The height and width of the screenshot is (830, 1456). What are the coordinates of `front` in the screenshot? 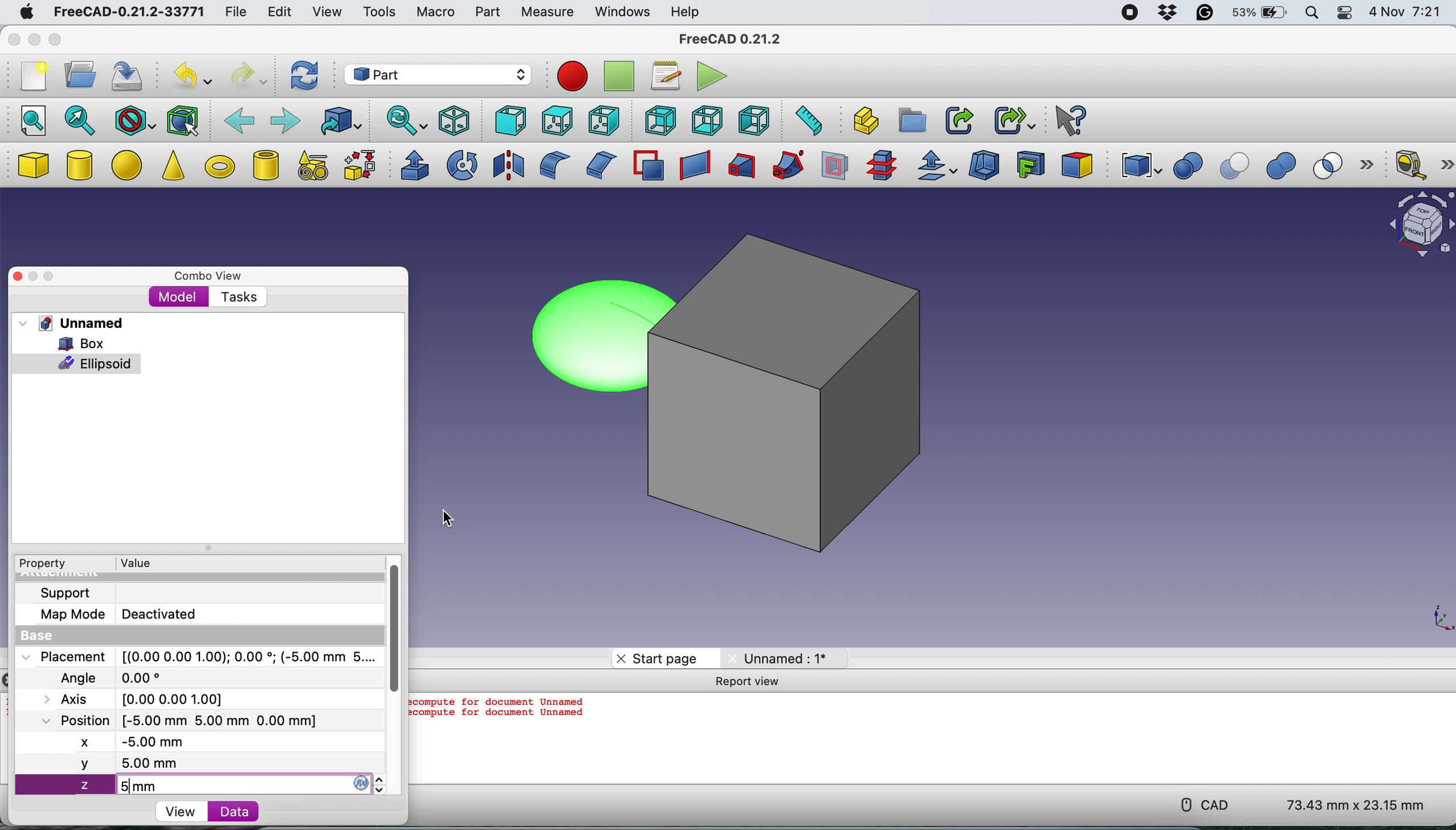 It's located at (508, 121).